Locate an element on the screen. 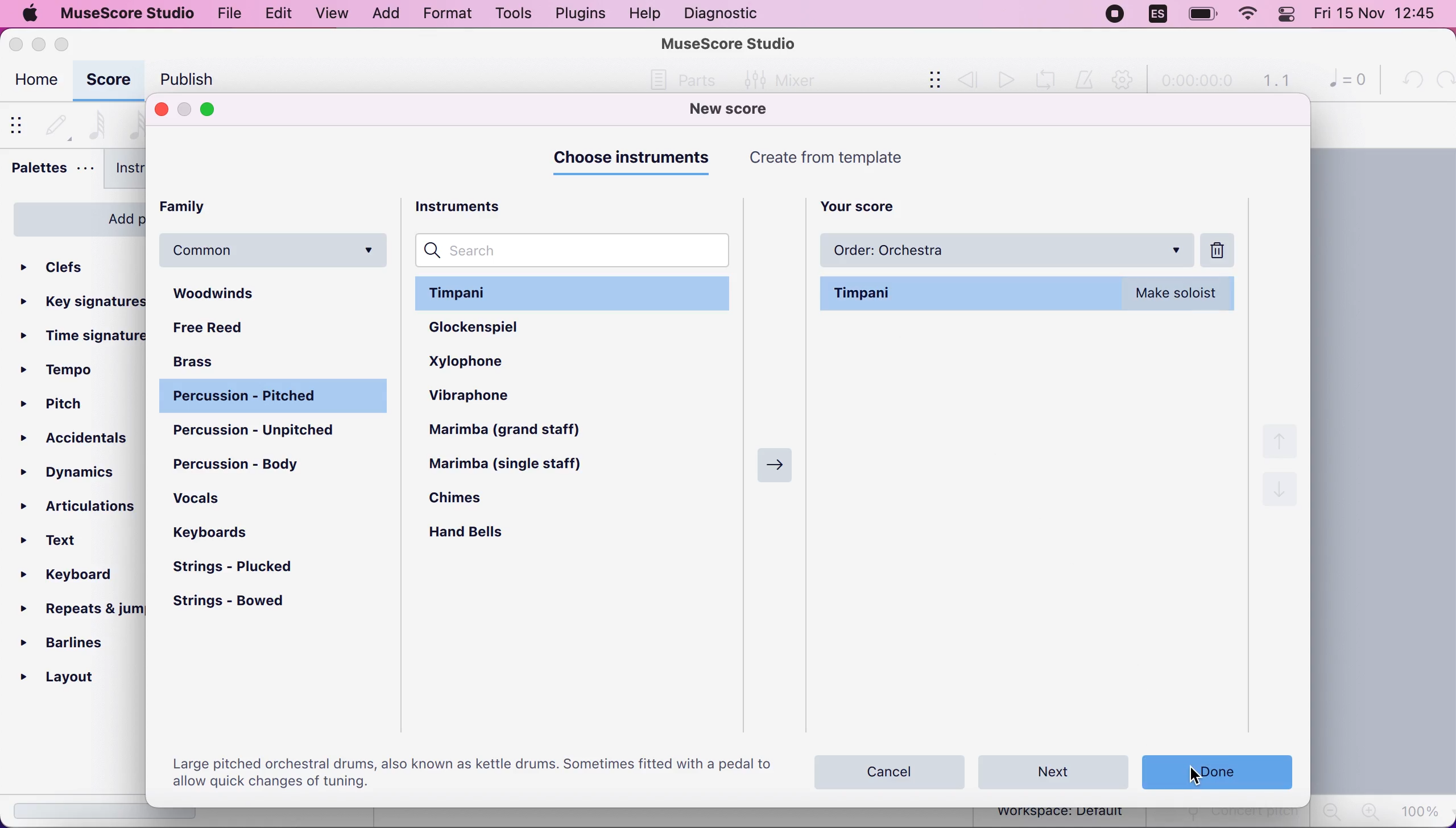 The width and height of the screenshot is (1456, 828). chimes is located at coordinates (472, 502).